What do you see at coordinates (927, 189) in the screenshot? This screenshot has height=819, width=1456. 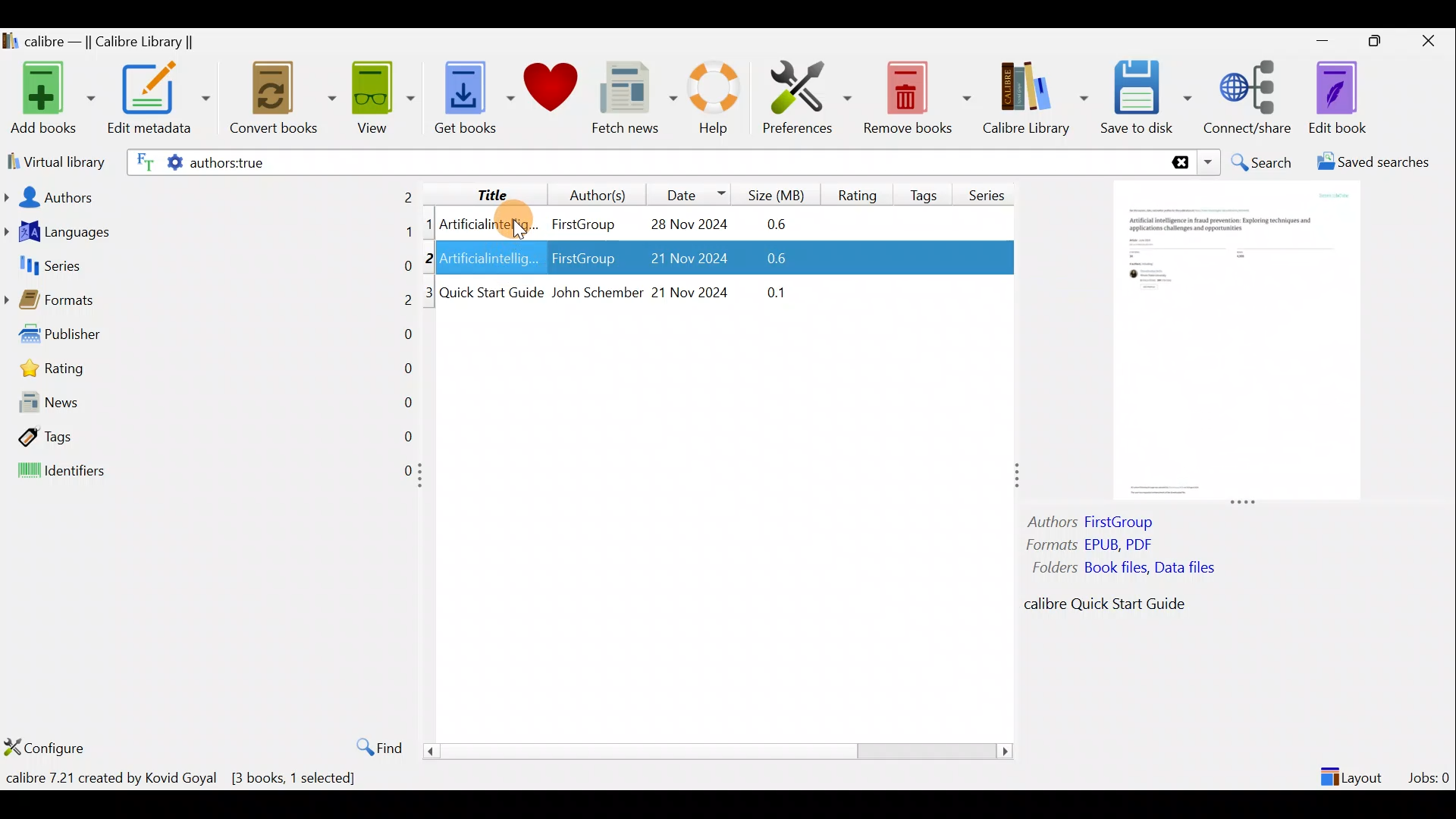 I see `Tags` at bounding box center [927, 189].